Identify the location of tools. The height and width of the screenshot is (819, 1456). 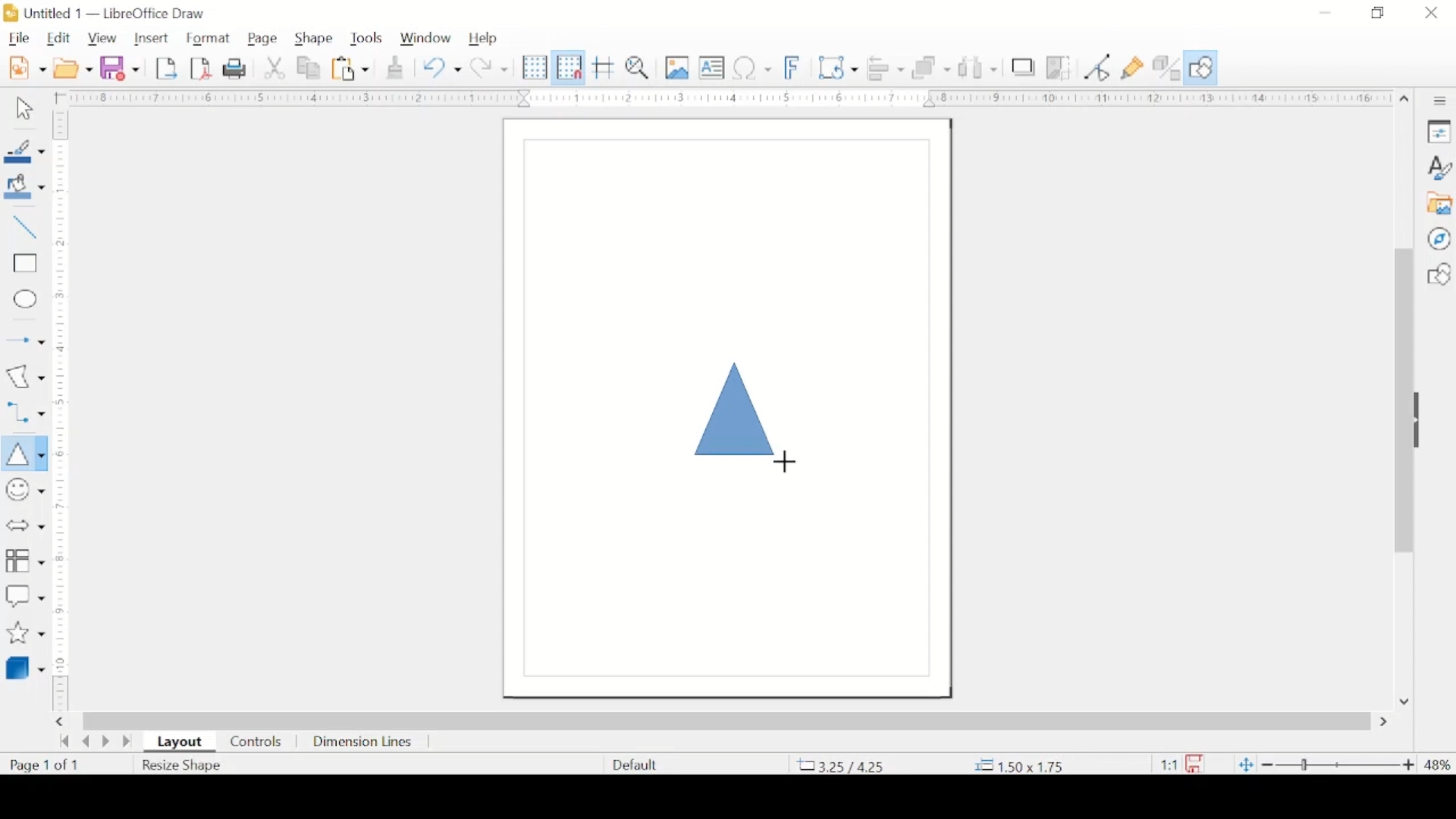
(366, 38).